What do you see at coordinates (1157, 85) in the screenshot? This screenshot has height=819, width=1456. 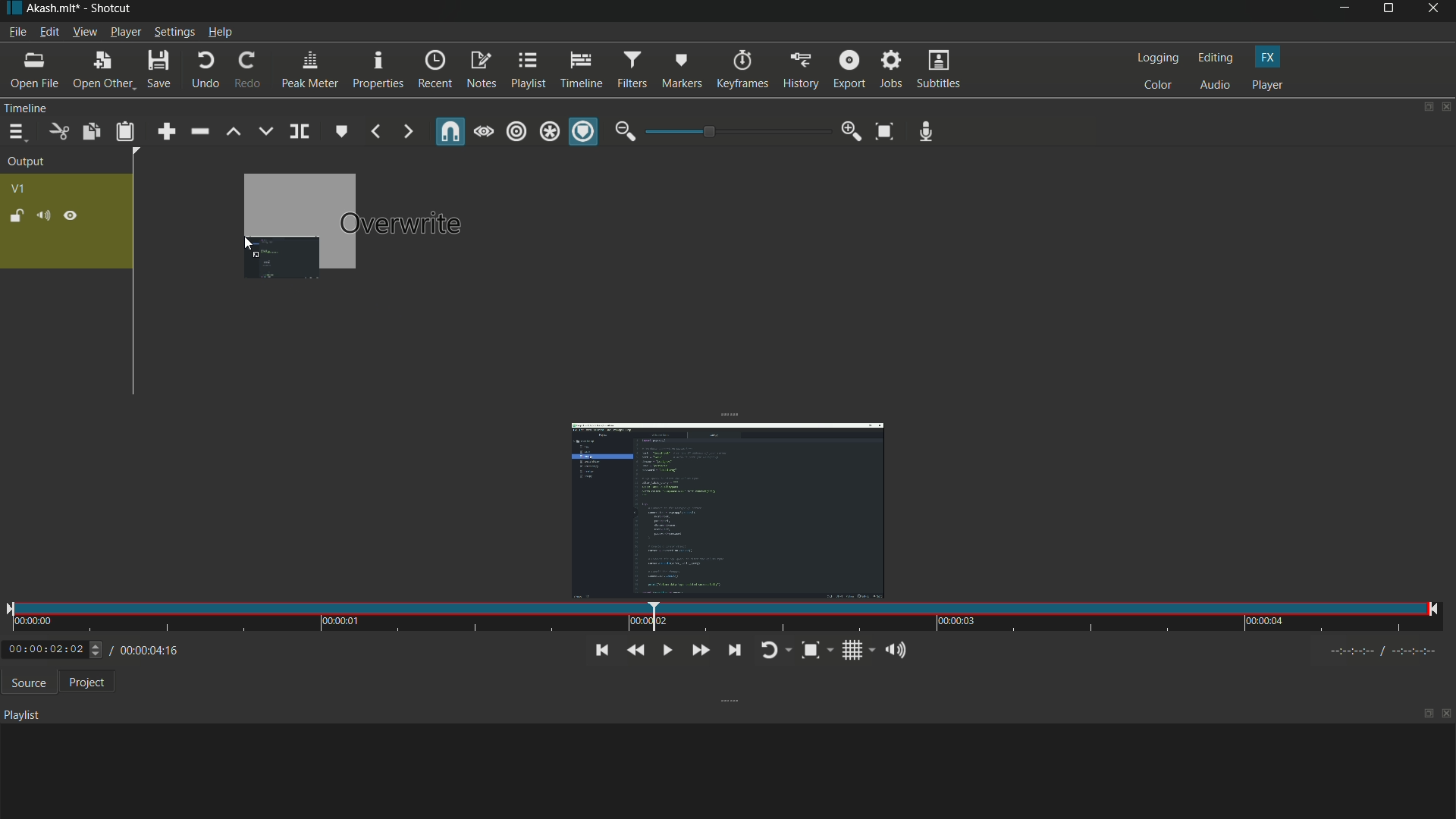 I see `color` at bounding box center [1157, 85].